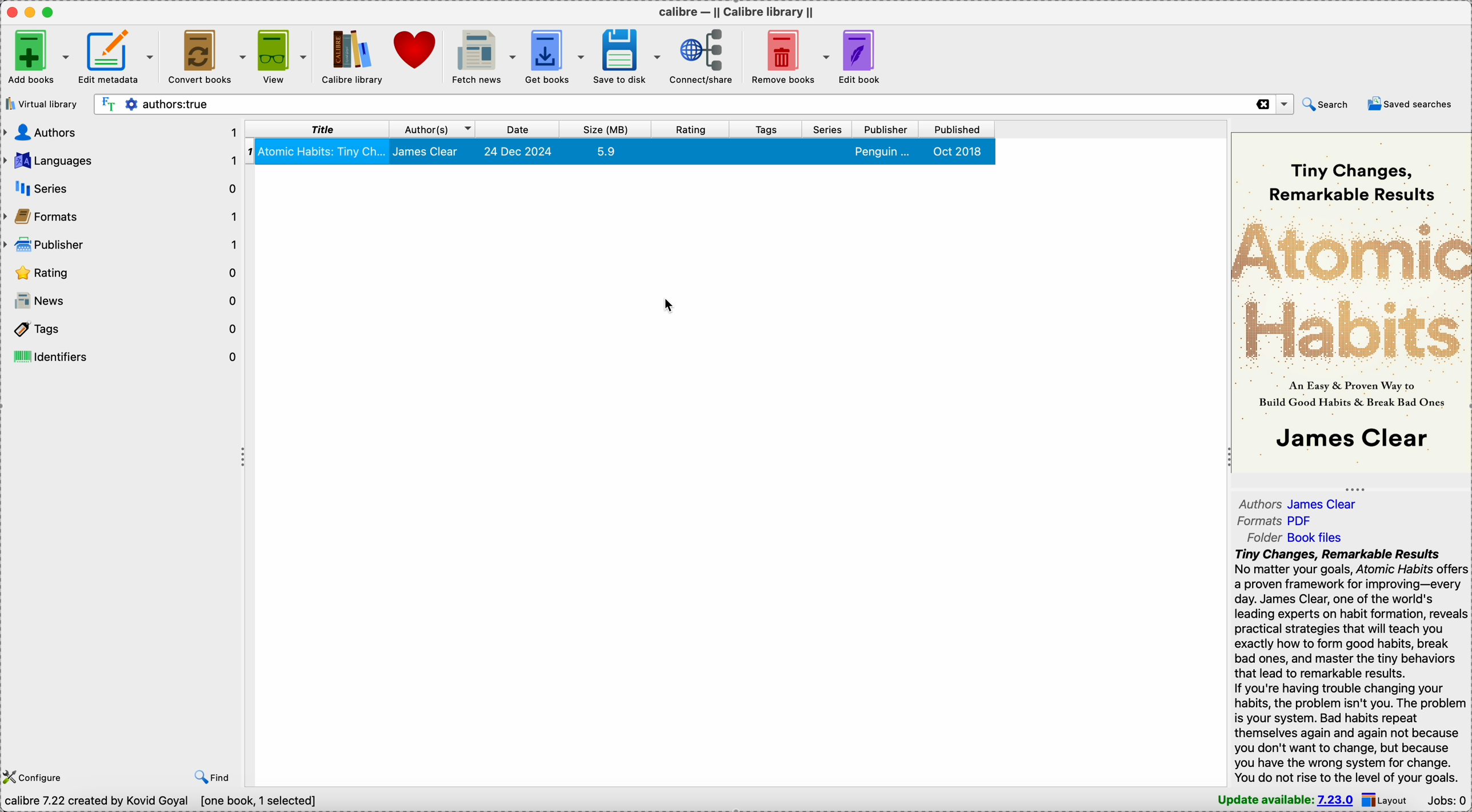 The image size is (1472, 812). Describe the element at coordinates (122, 161) in the screenshot. I see `languages` at that location.